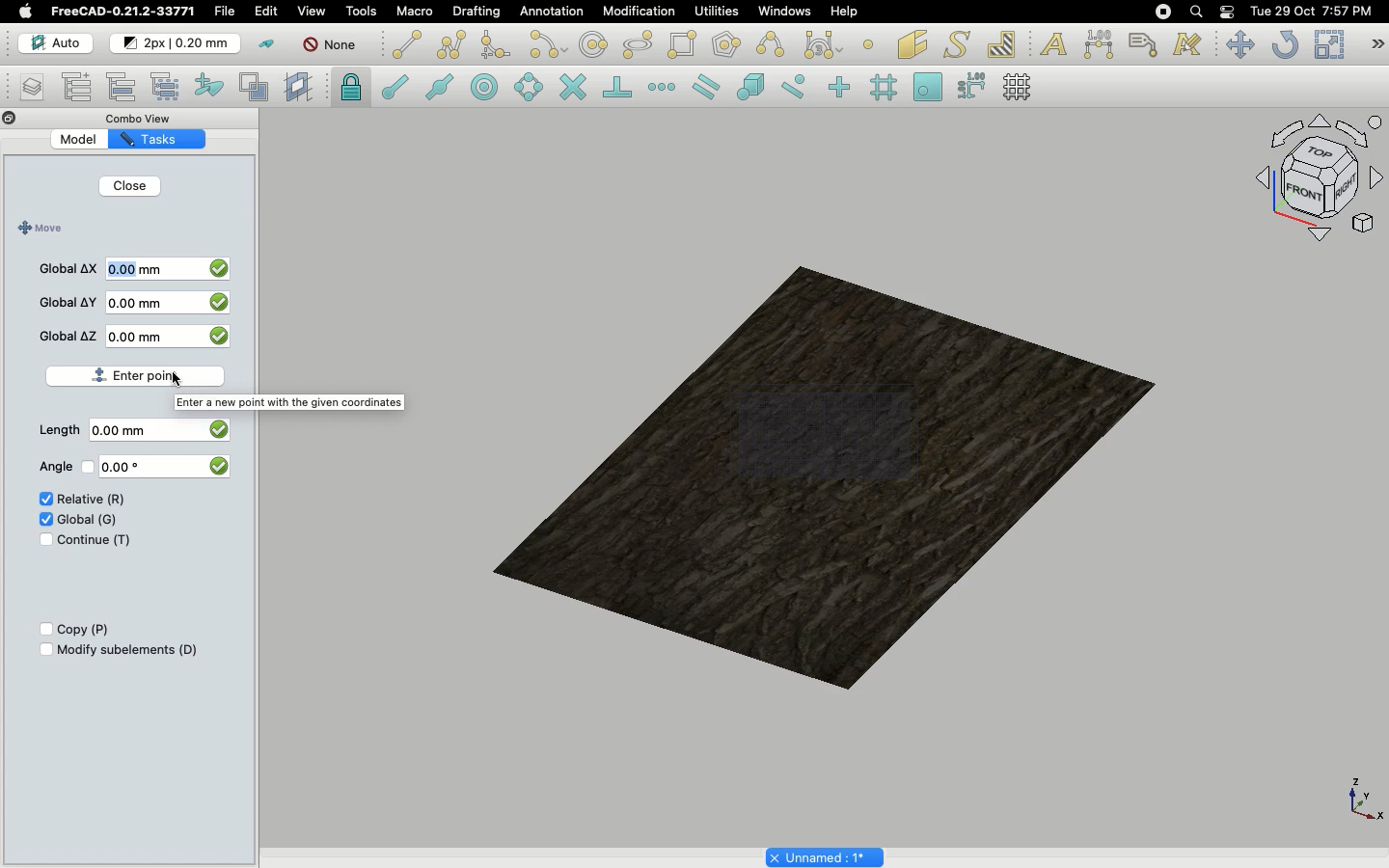 The image size is (1389, 868). Describe the element at coordinates (26, 11) in the screenshot. I see `Apple log` at that location.